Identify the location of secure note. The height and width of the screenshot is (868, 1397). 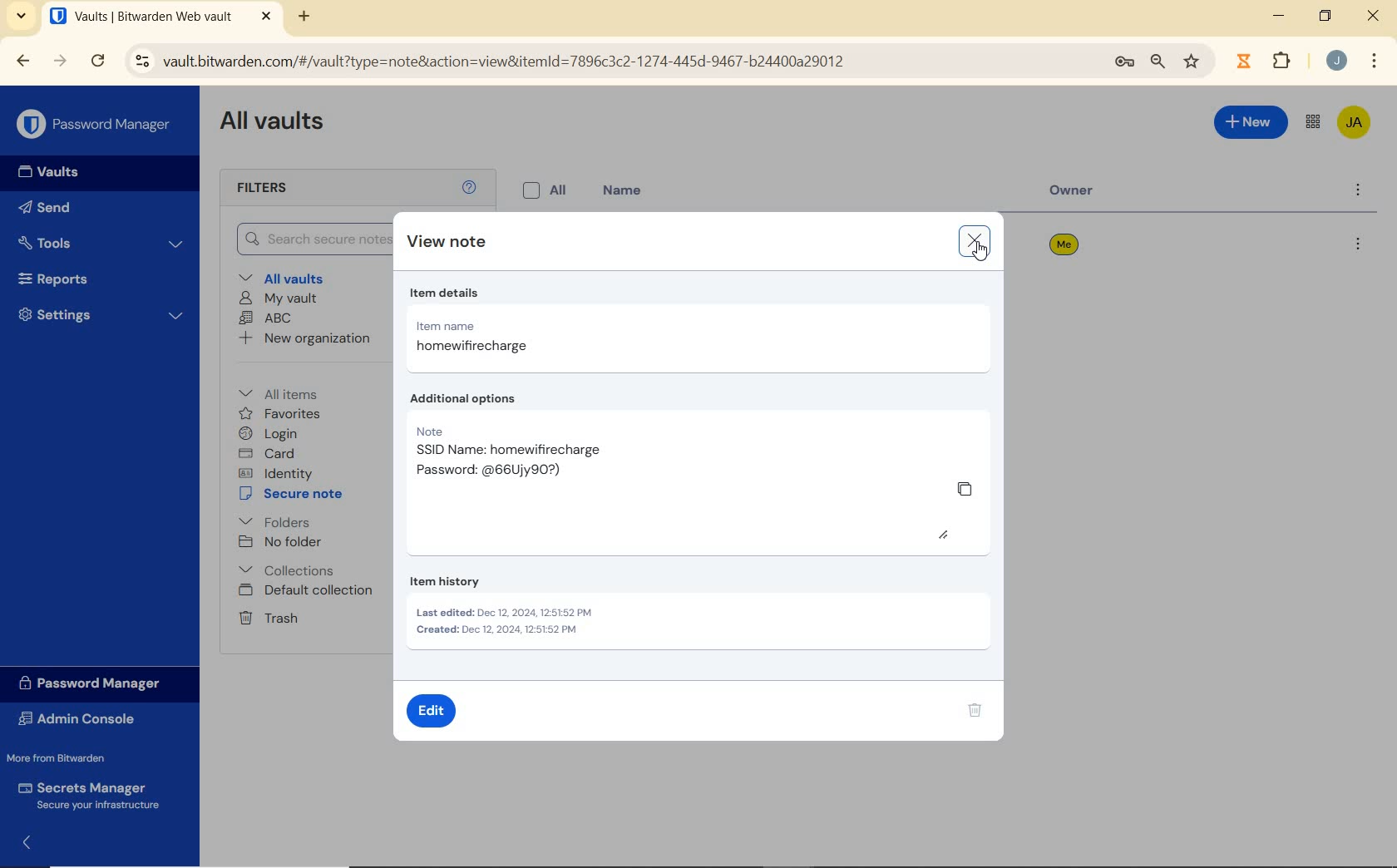
(294, 494).